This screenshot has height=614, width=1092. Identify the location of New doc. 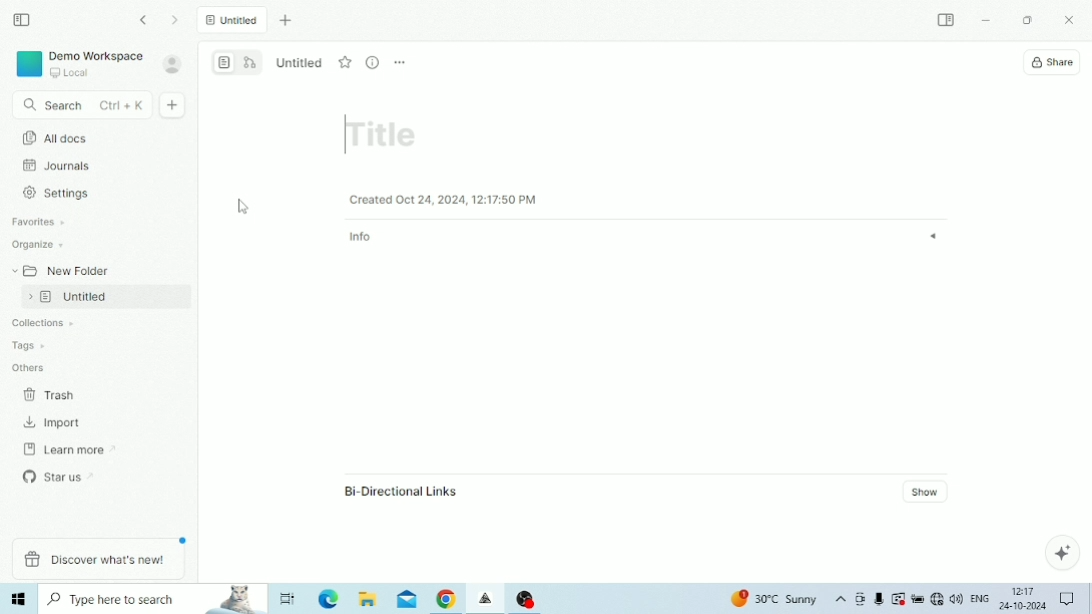
(174, 105).